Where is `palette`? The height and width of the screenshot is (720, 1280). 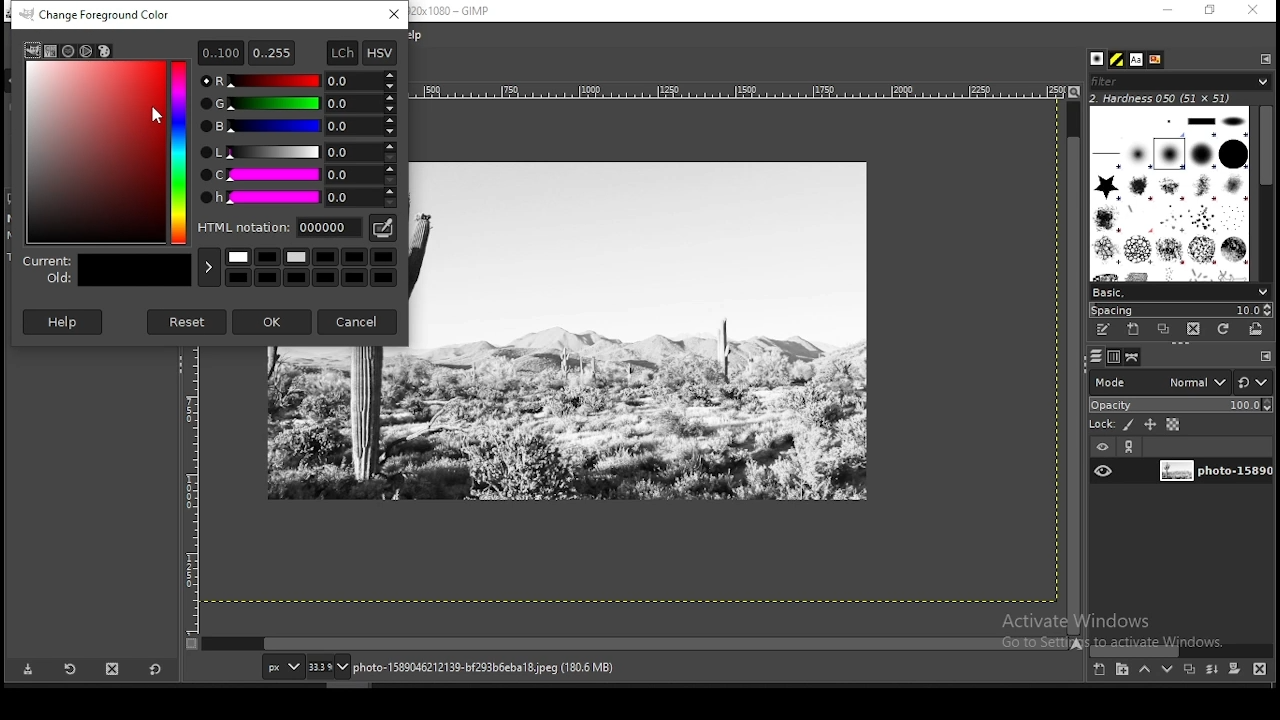
palette is located at coordinates (104, 50).